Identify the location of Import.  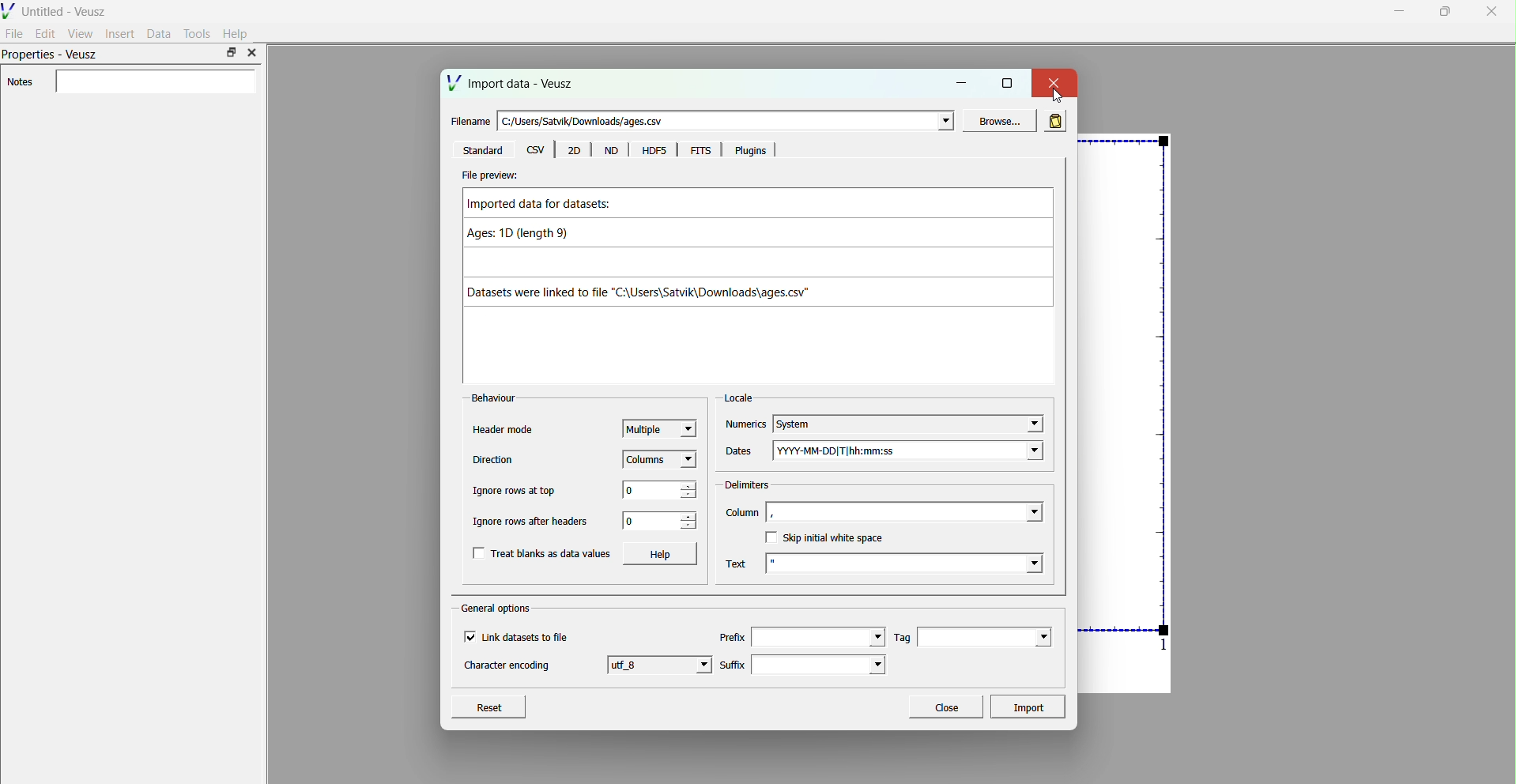
(1031, 707).